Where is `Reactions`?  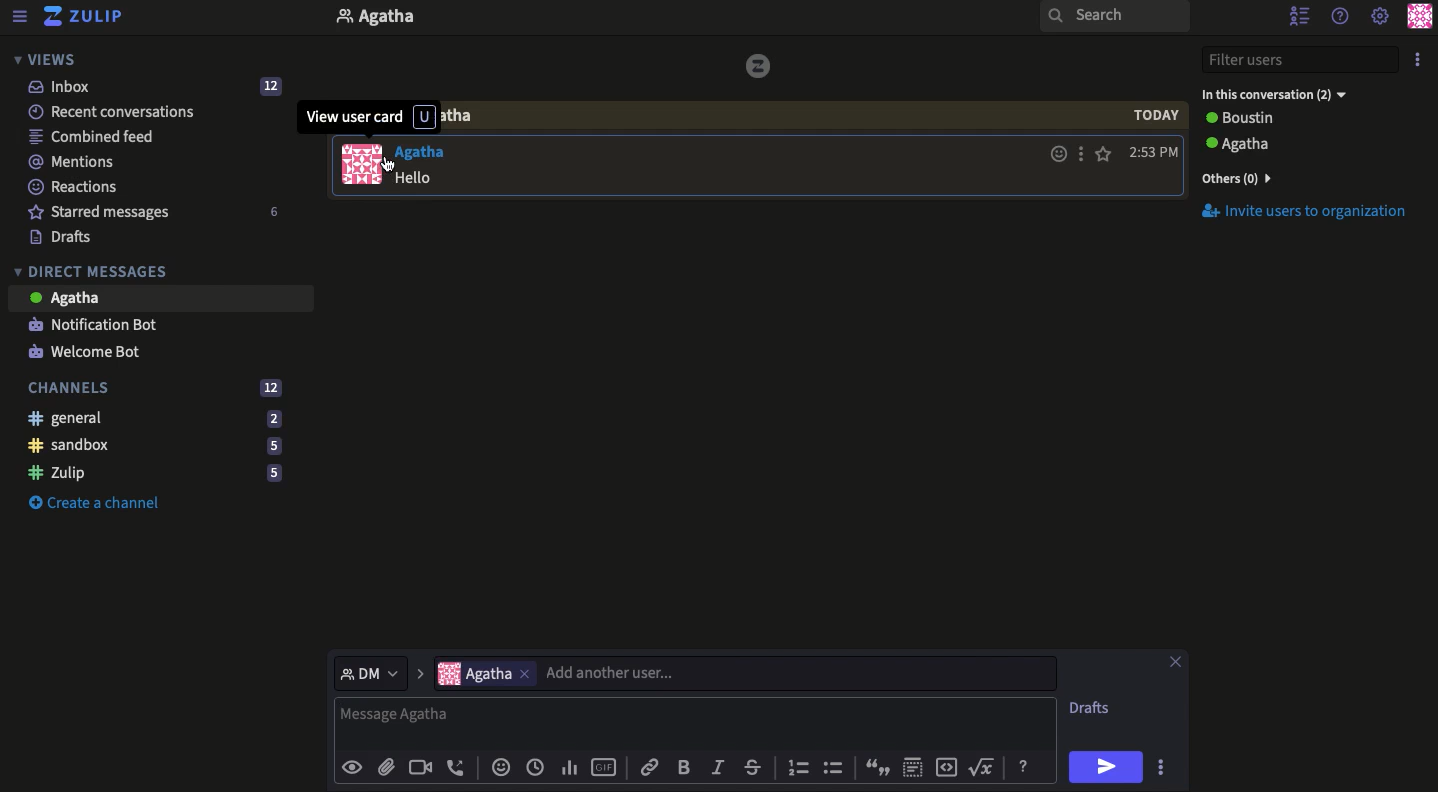 Reactions is located at coordinates (75, 186).